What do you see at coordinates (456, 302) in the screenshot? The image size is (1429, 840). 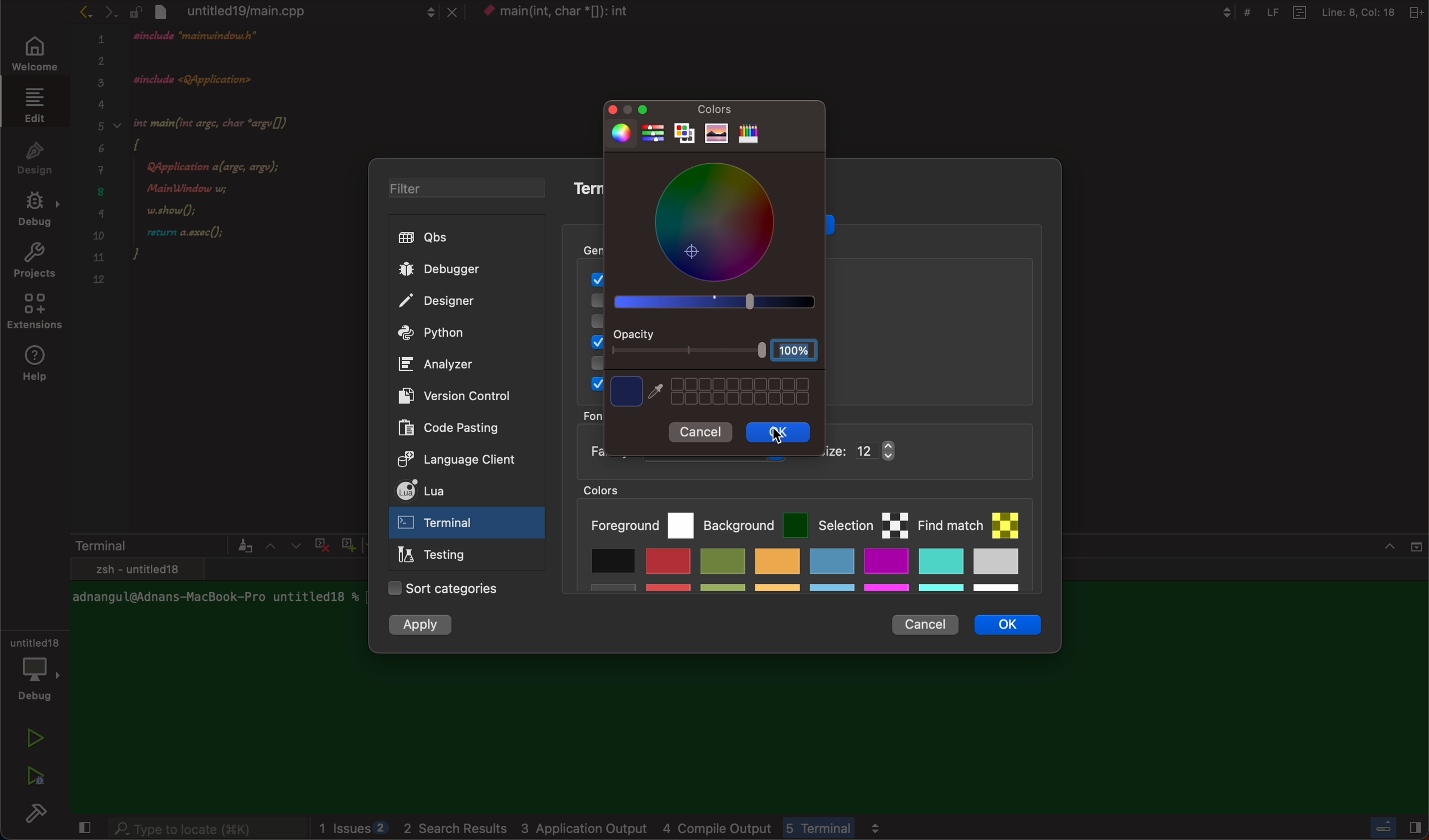 I see `designer` at bounding box center [456, 302].